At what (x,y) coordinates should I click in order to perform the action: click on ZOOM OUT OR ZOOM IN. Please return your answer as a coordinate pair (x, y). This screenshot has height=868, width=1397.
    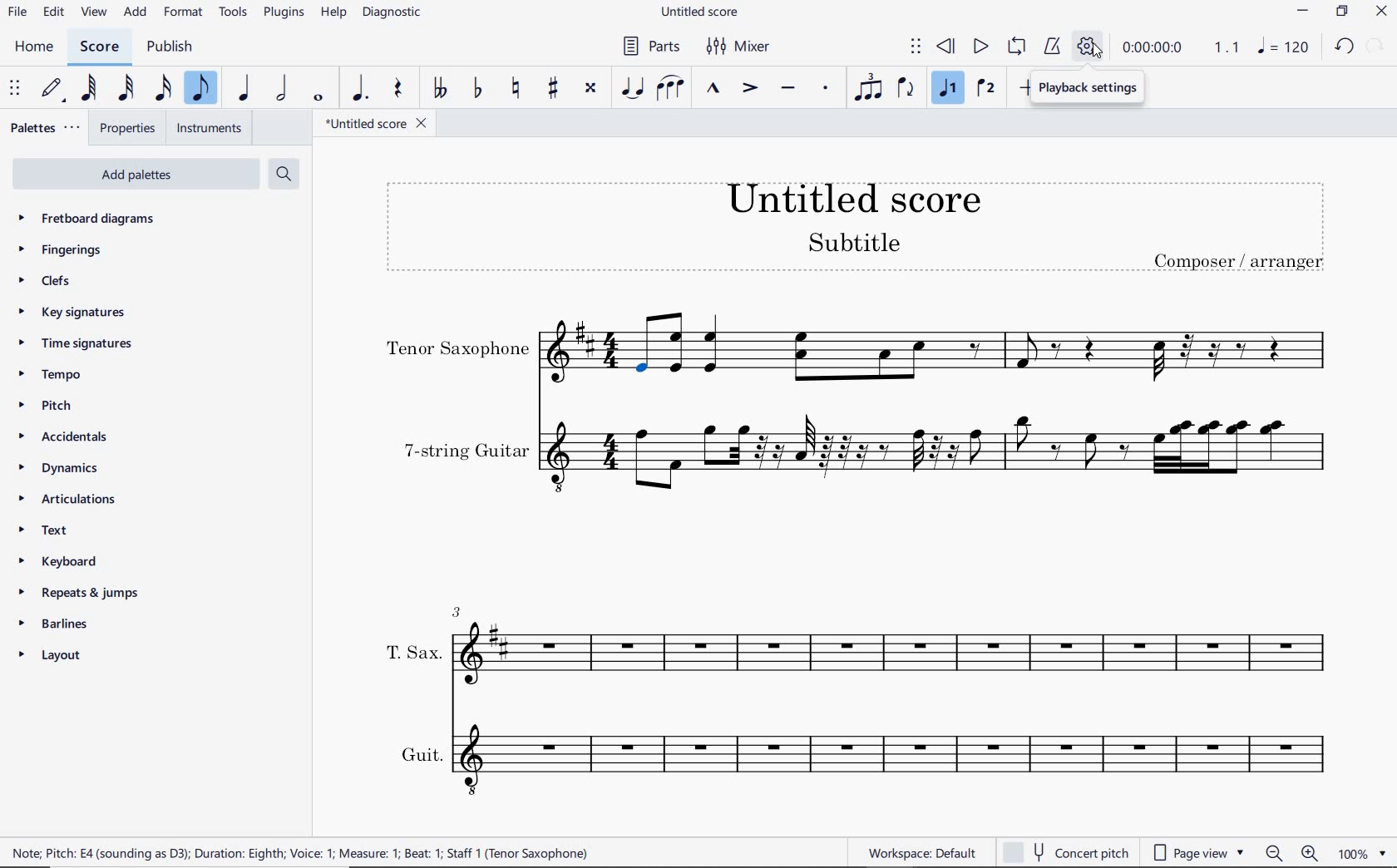
    Looking at the image, I should click on (1293, 854).